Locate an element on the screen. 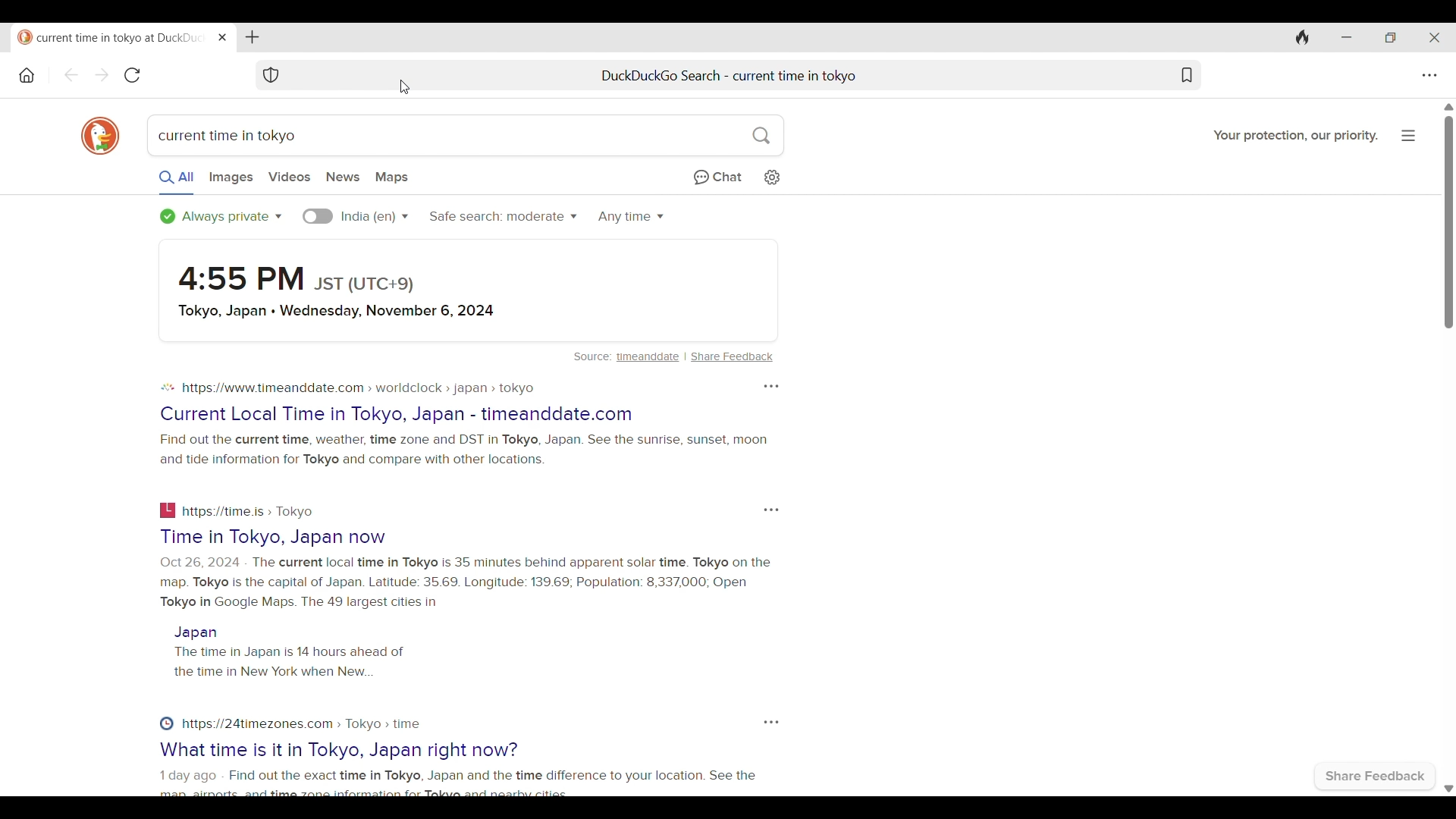  The time in Japan is 14 hours ahead of
the time in New York when New... is located at coordinates (291, 661).